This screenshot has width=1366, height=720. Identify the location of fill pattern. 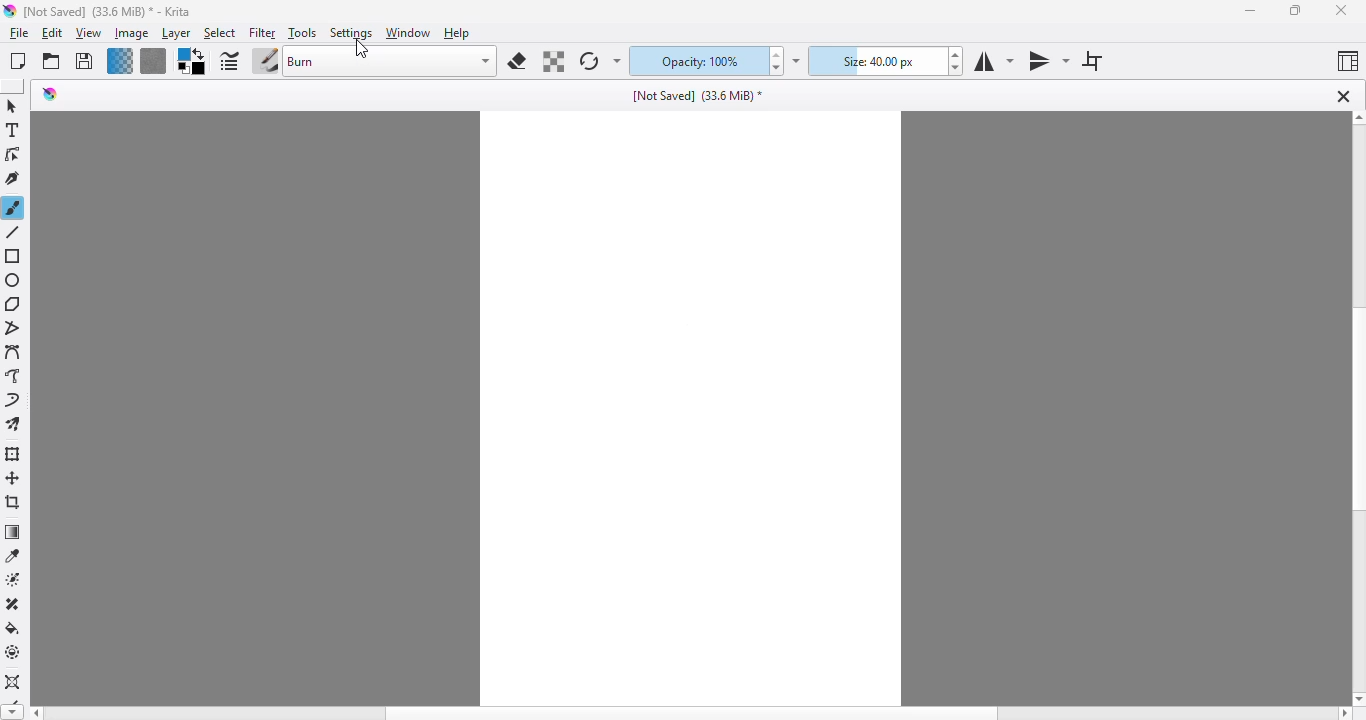
(153, 61).